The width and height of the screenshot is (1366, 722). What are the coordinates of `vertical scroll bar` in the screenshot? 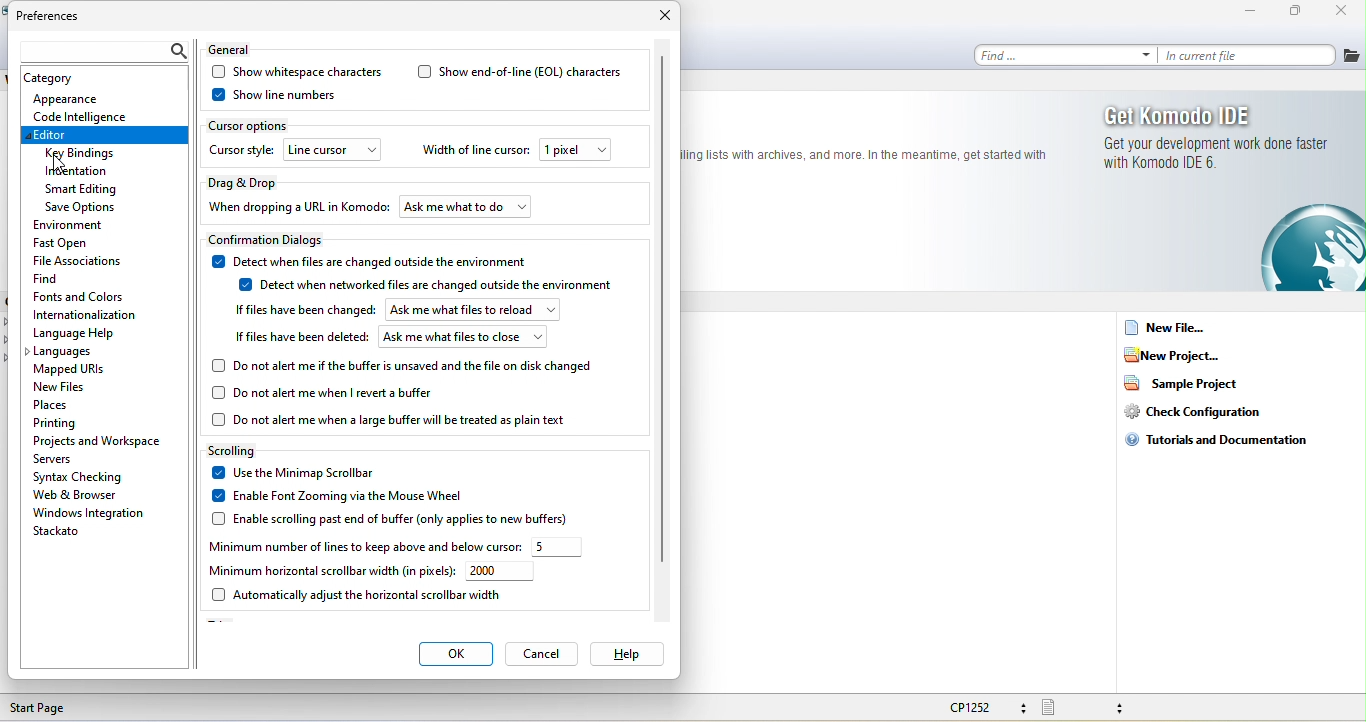 It's located at (662, 306).